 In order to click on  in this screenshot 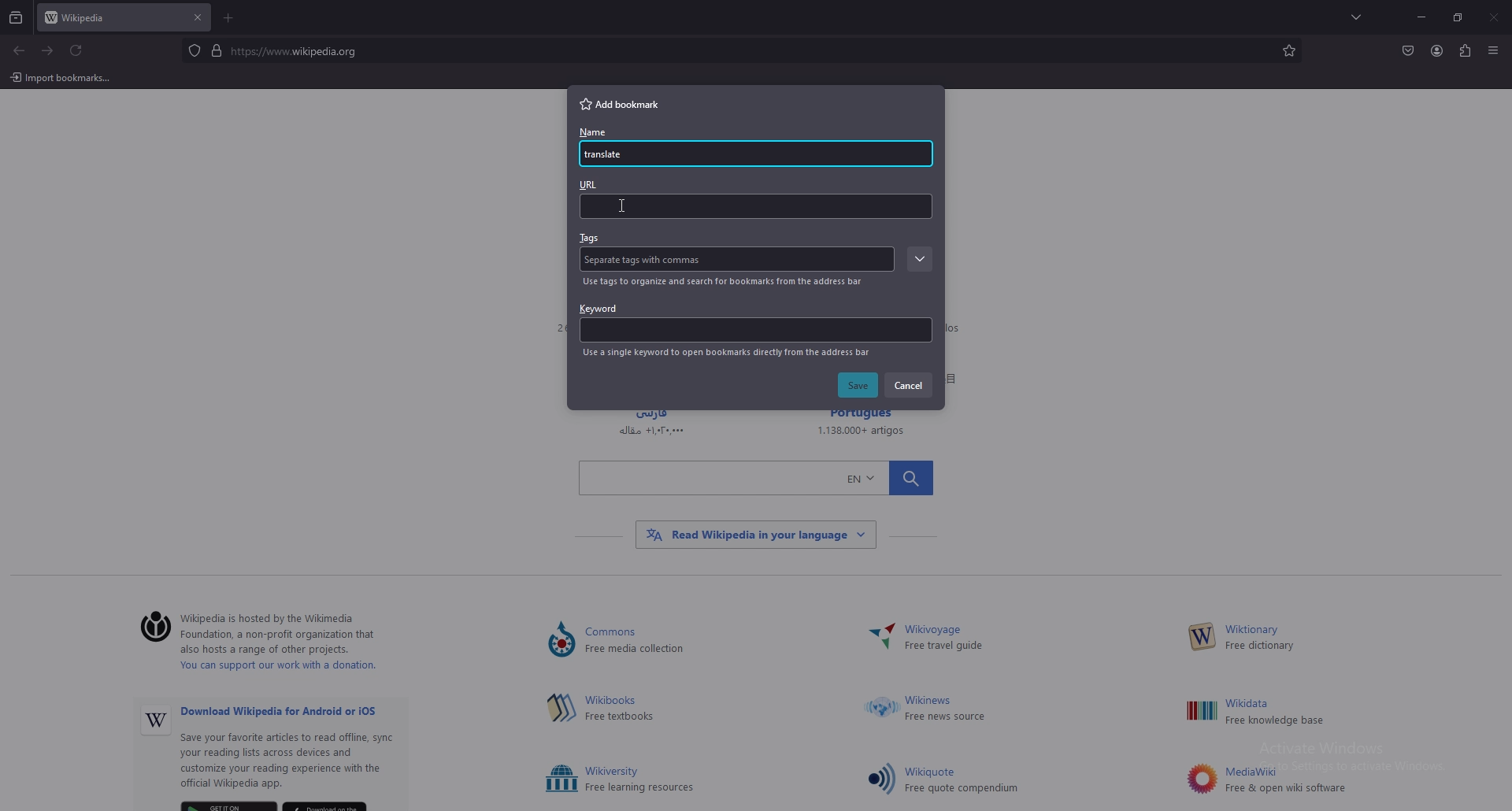, I will do `click(1198, 779)`.